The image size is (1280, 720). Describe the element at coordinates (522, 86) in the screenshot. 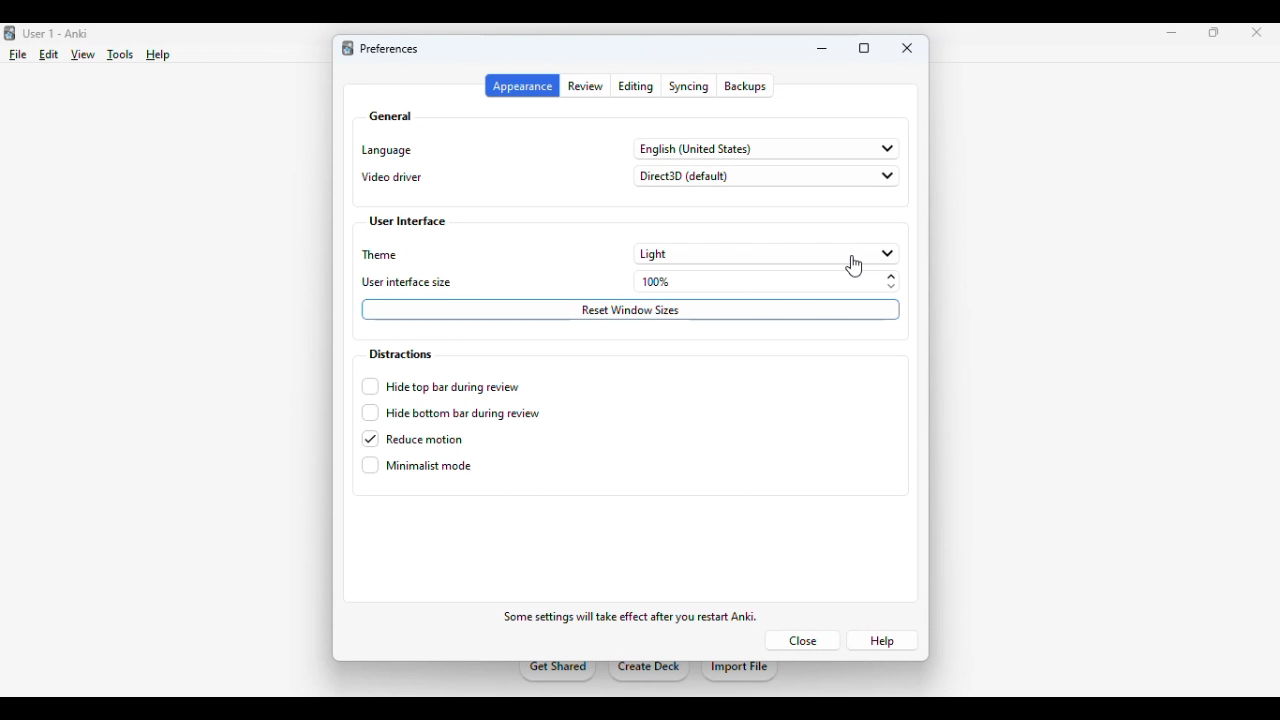

I see `appearance` at that location.